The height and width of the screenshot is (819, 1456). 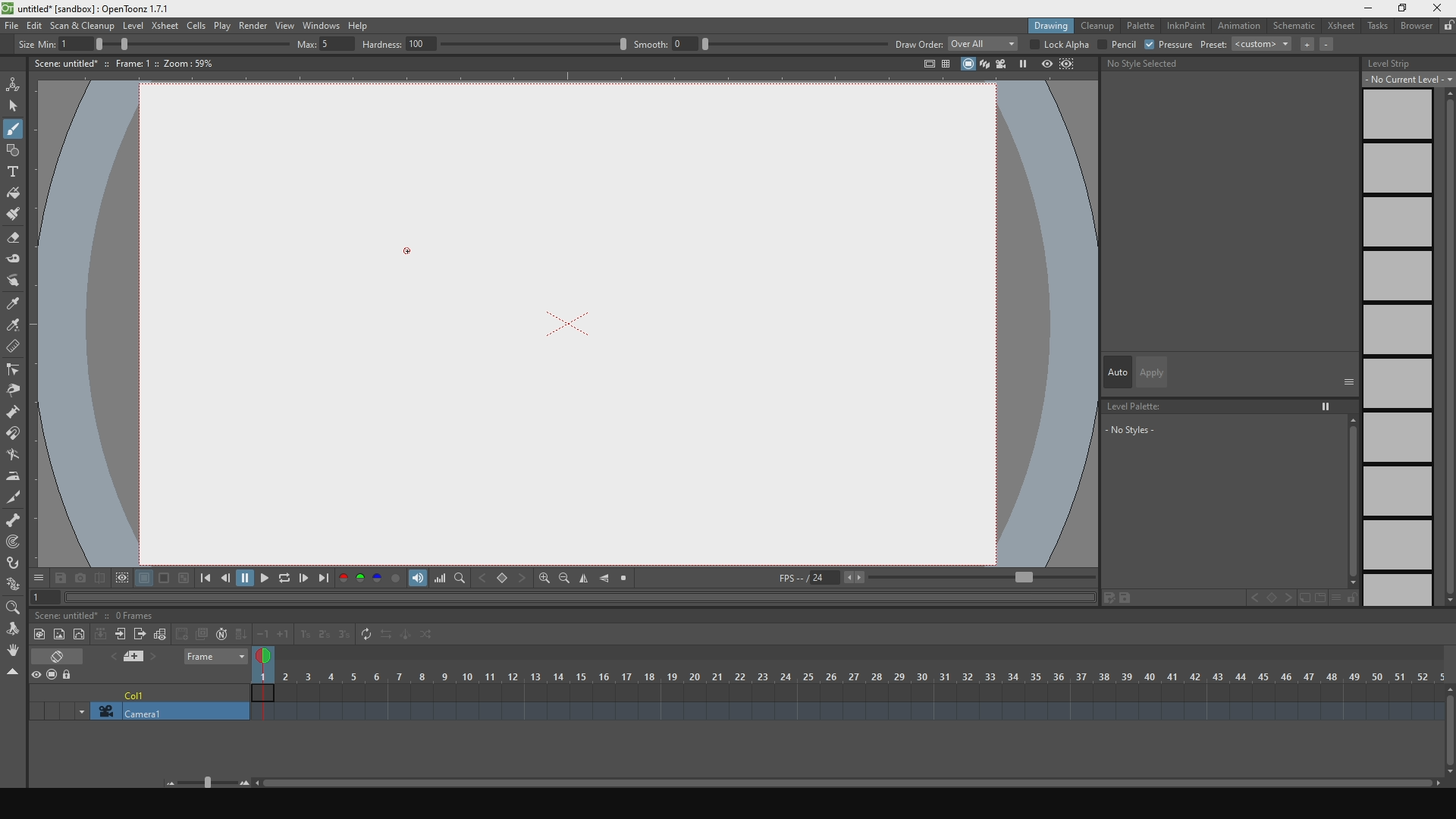 What do you see at coordinates (983, 65) in the screenshot?
I see `layers` at bounding box center [983, 65].